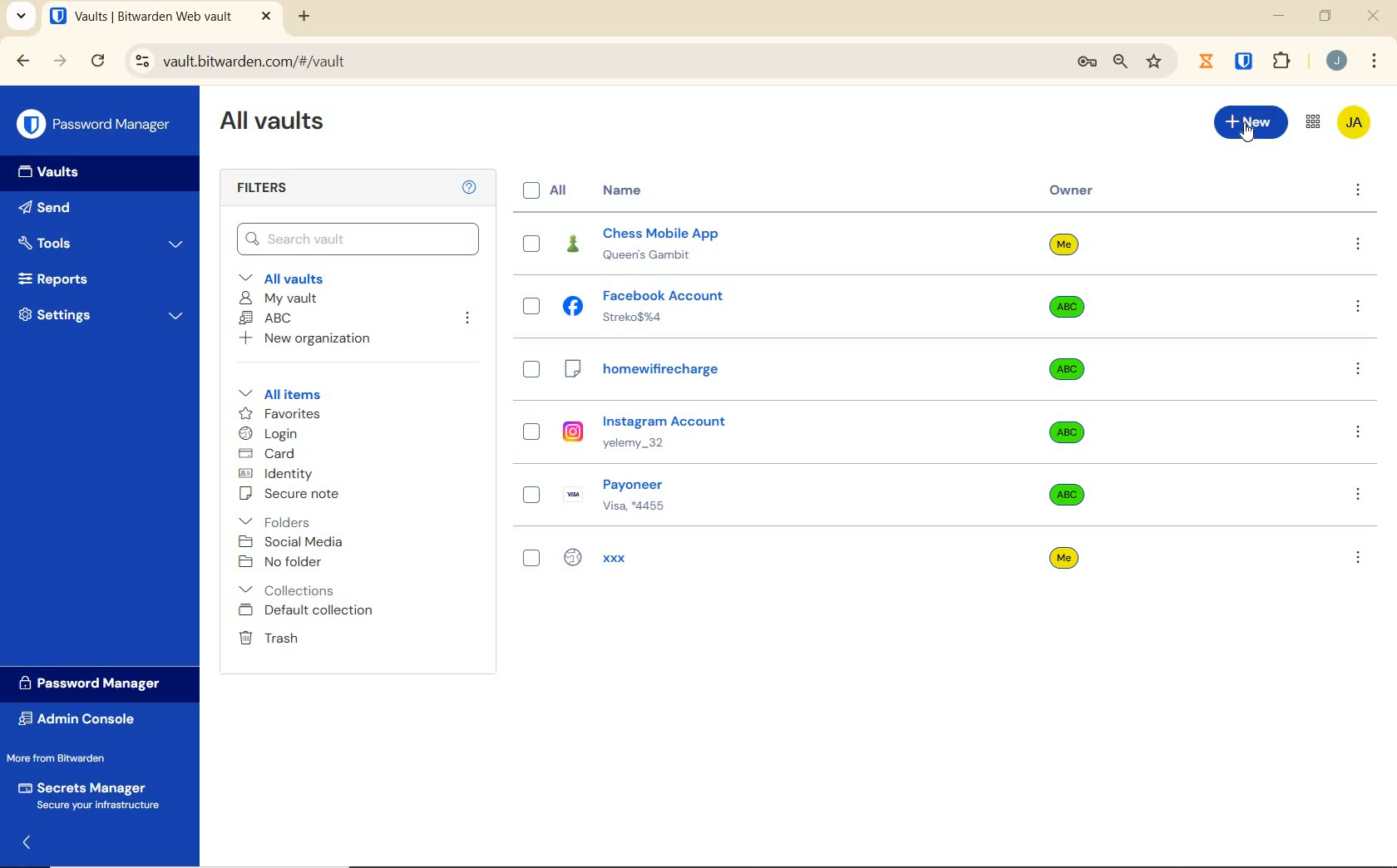 The image size is (1397, 868). Describe the element at coordinates (531, 558) in the screenshot. I see `select entry` at that location.